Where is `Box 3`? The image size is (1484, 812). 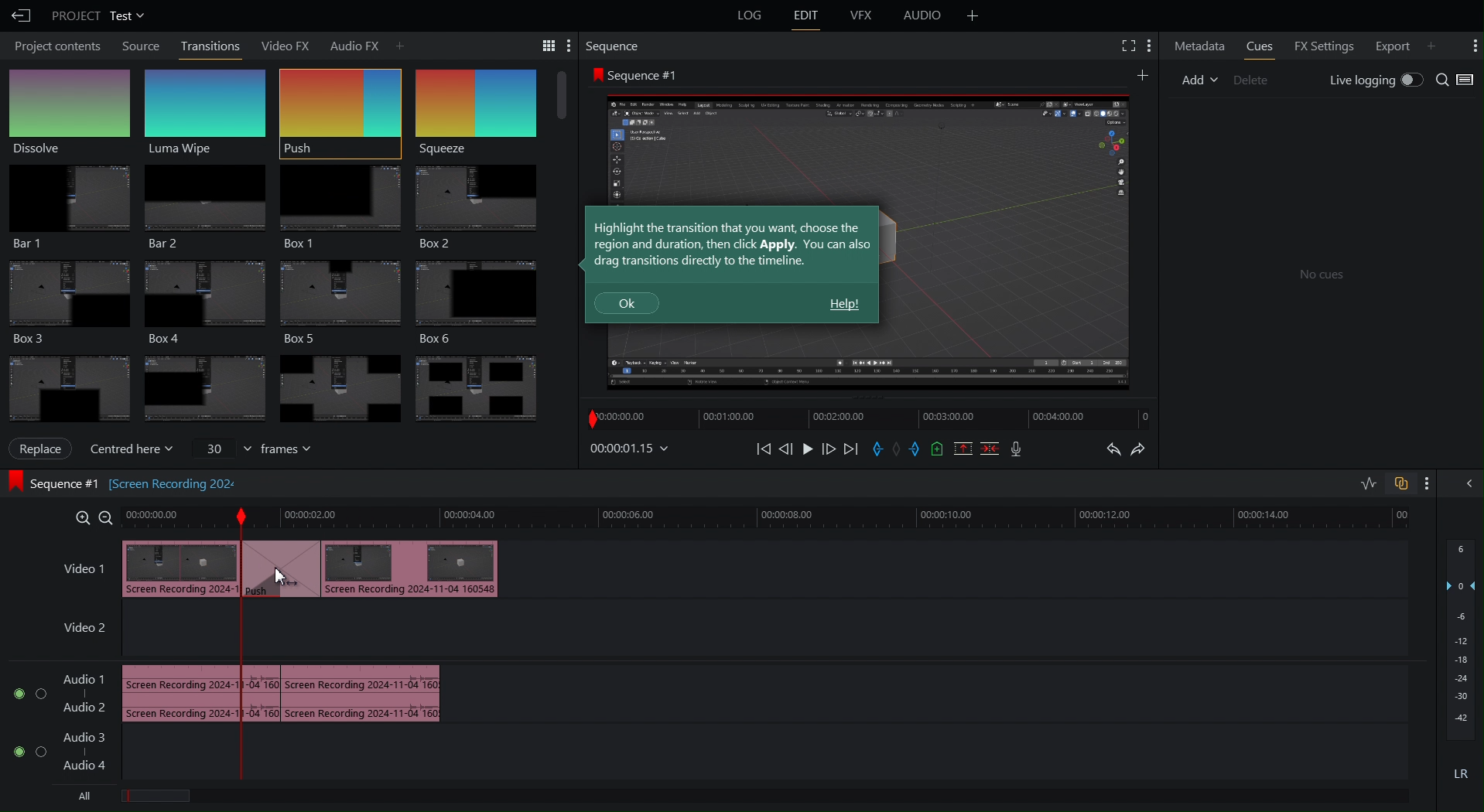
Box 3 is located at coordinates (66, 301).